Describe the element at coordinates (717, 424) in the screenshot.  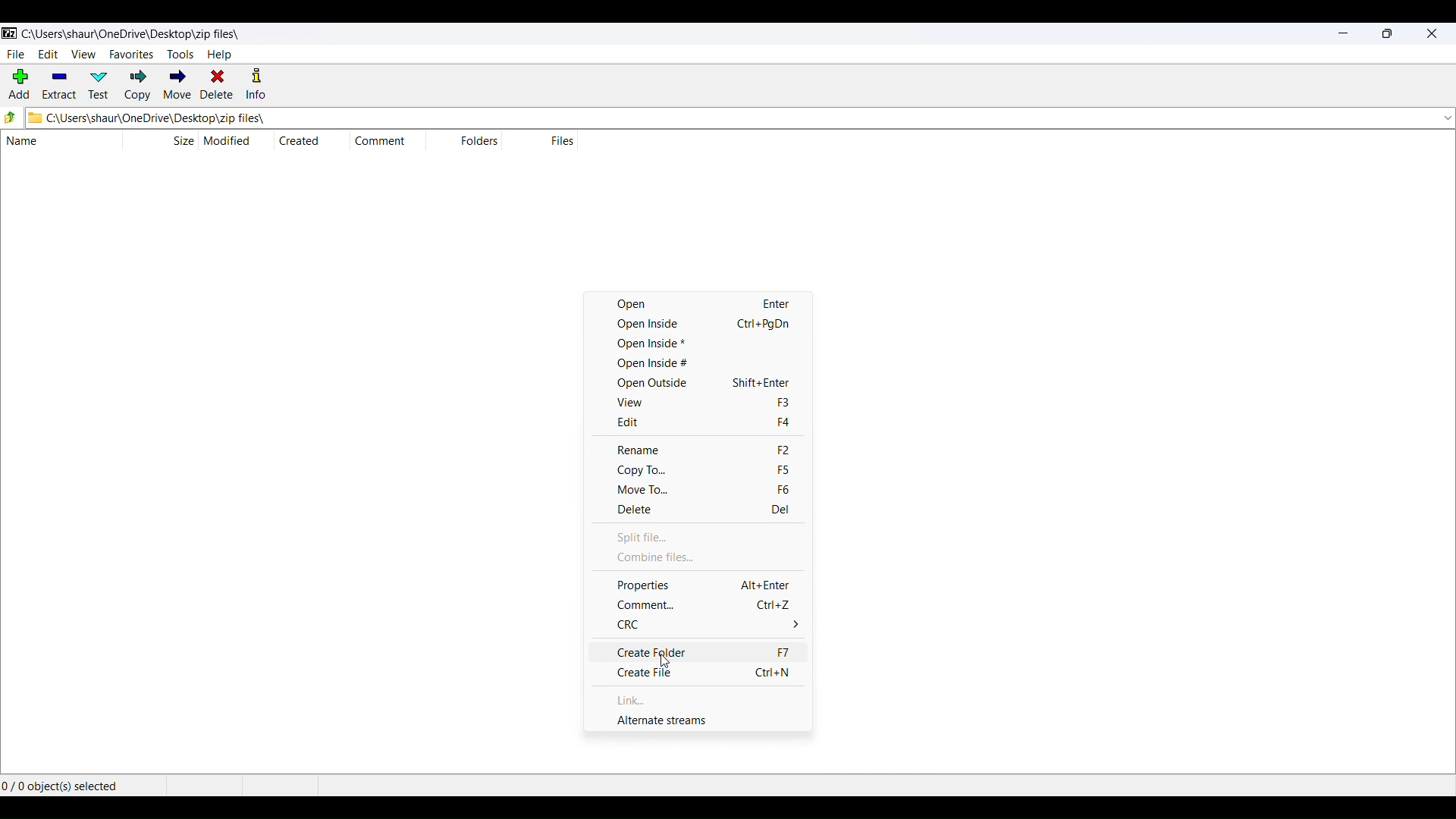
I see `EDIT` at that location.